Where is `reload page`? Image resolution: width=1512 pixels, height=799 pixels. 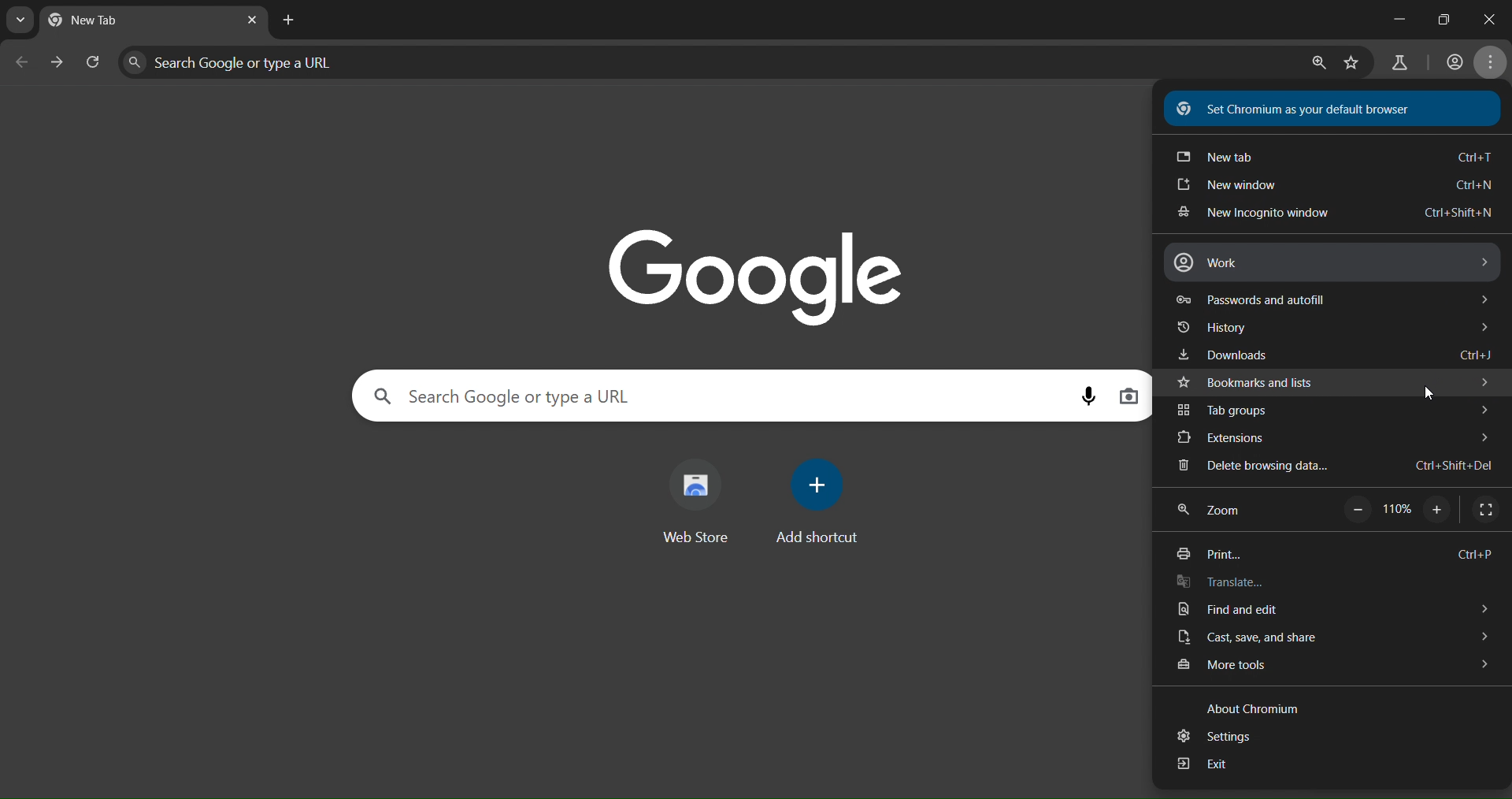 reload page is located at coordinates (95, 65).